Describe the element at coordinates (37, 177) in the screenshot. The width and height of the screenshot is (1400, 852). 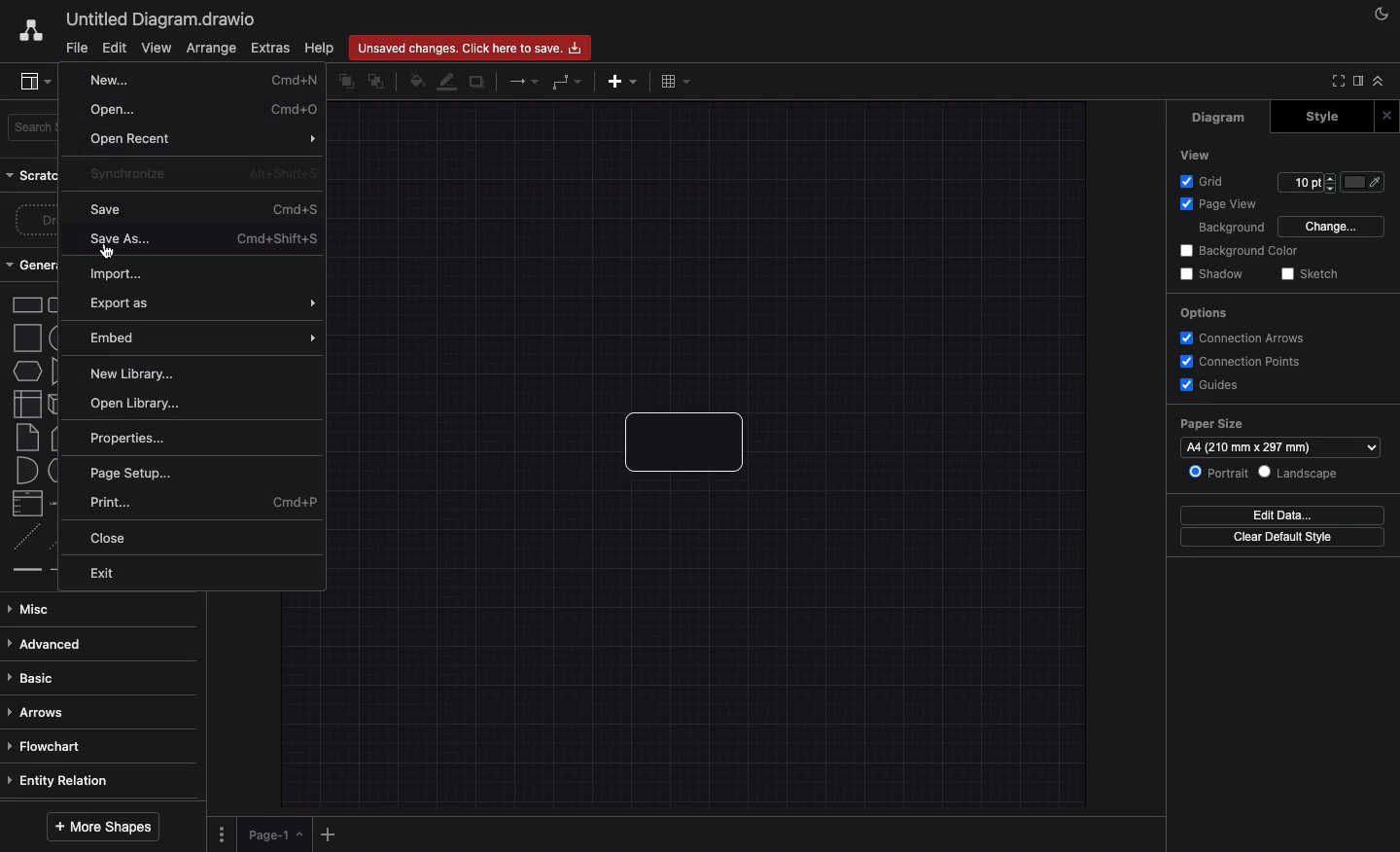
I see `Scratchpad` at that location.